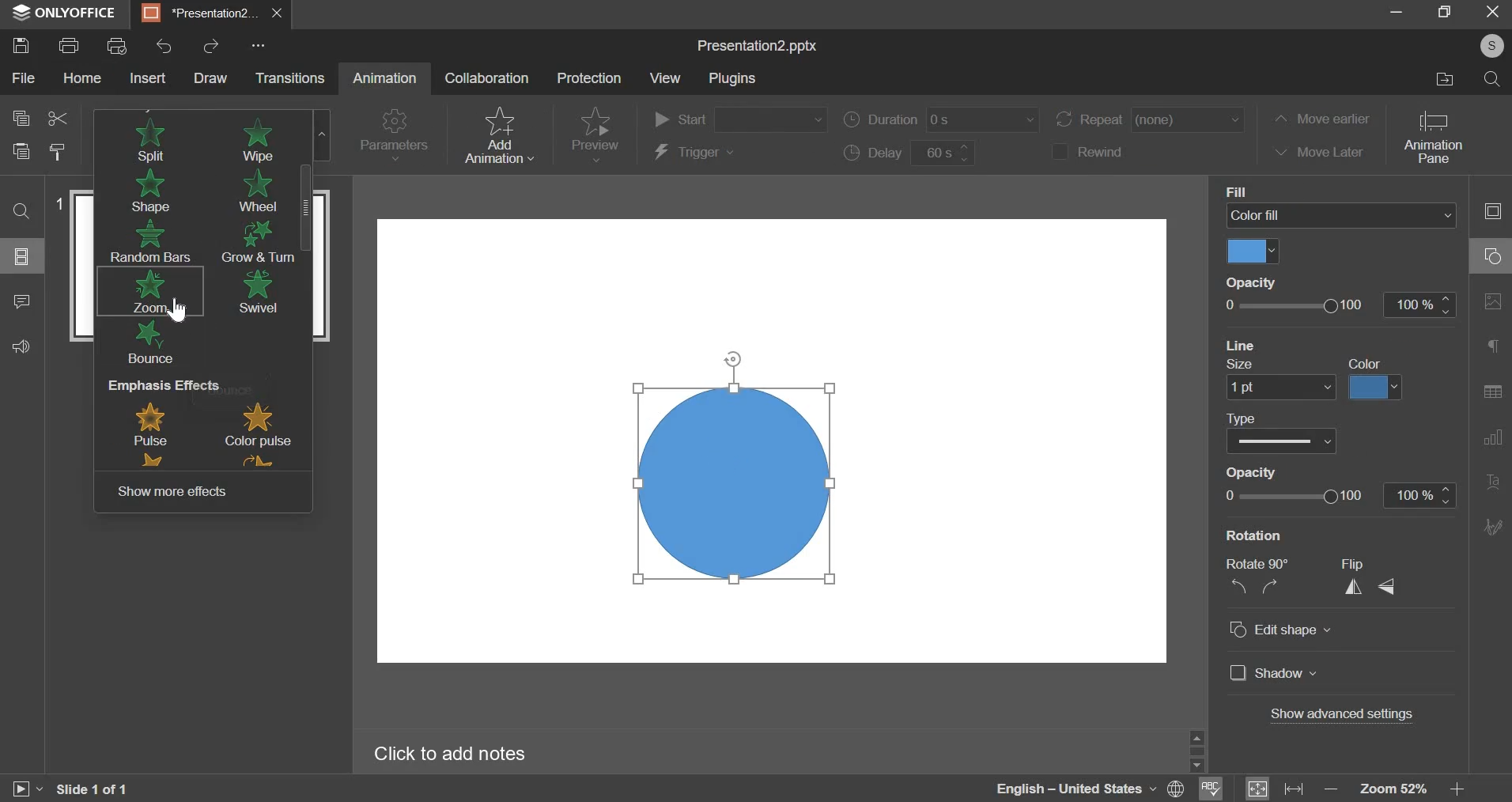 Image resolution: width=1512 pixels, height=802 pixels. I want to click on feedback, so click(24, 347).